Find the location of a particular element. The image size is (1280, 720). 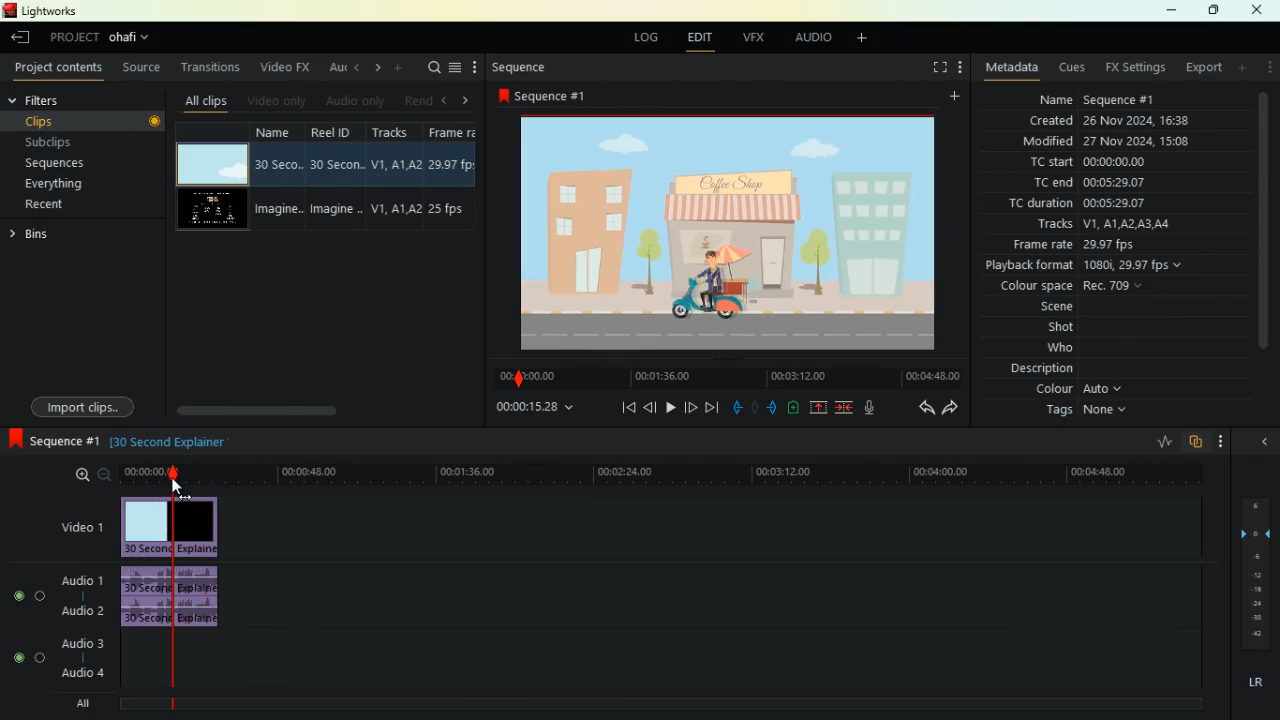

everything is located at coordinates (62, 184).